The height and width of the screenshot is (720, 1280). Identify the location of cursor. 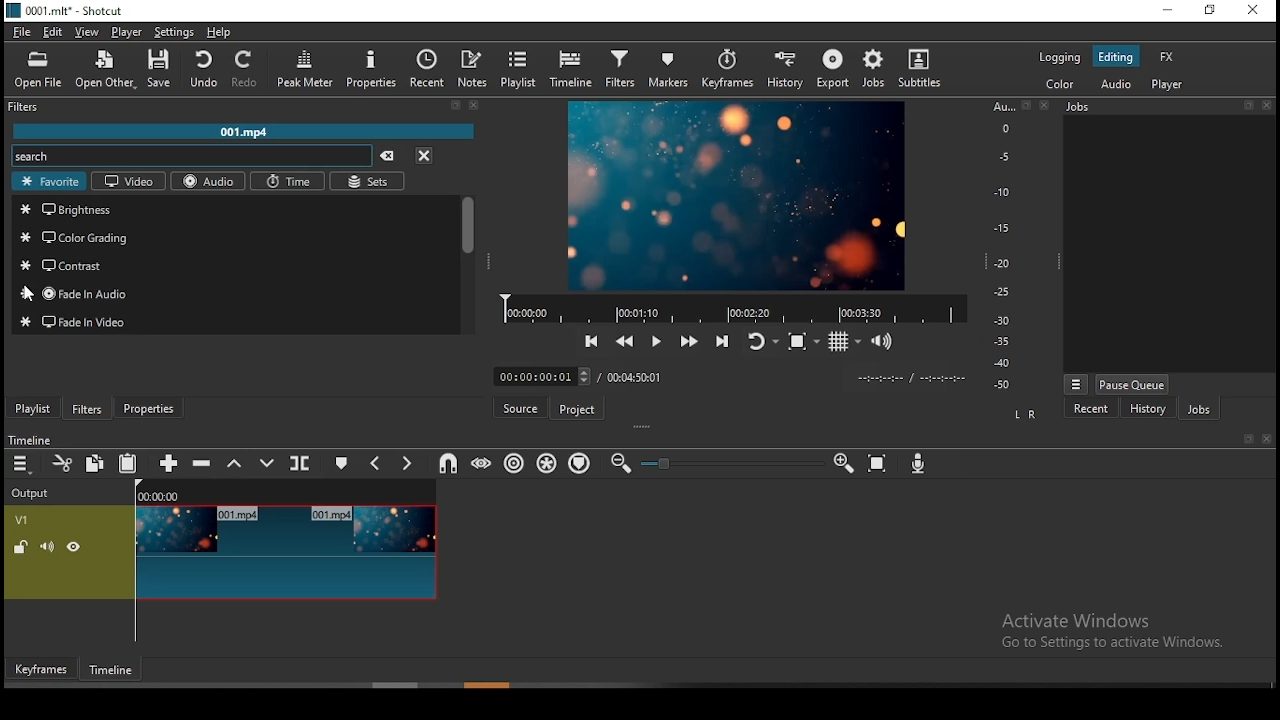
(34, 293).